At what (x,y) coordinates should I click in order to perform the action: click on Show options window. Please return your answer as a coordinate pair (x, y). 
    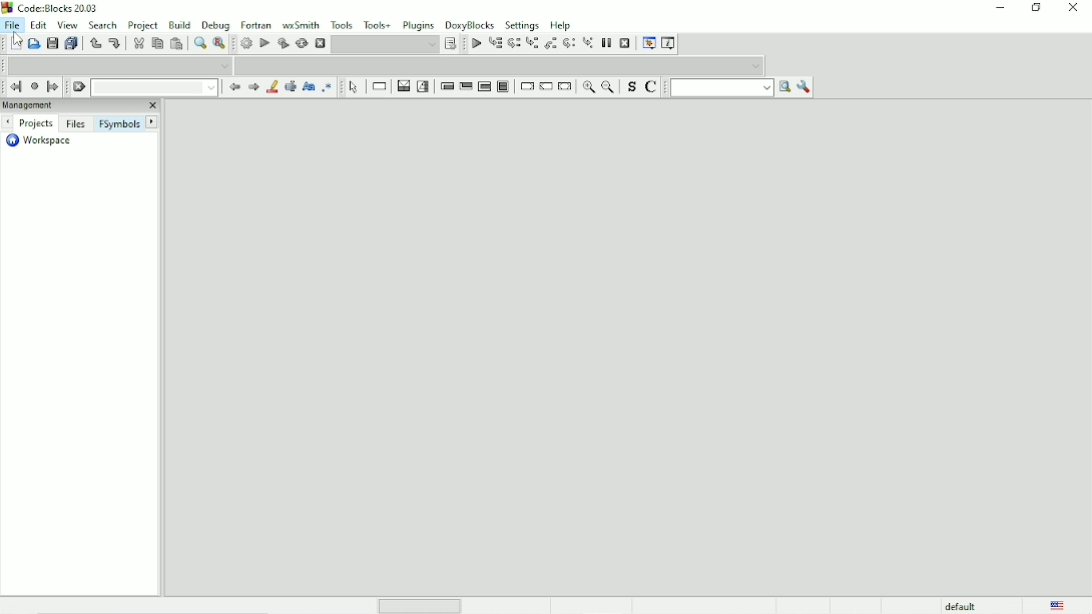
    Looking at the image, I should click on (806, 87).